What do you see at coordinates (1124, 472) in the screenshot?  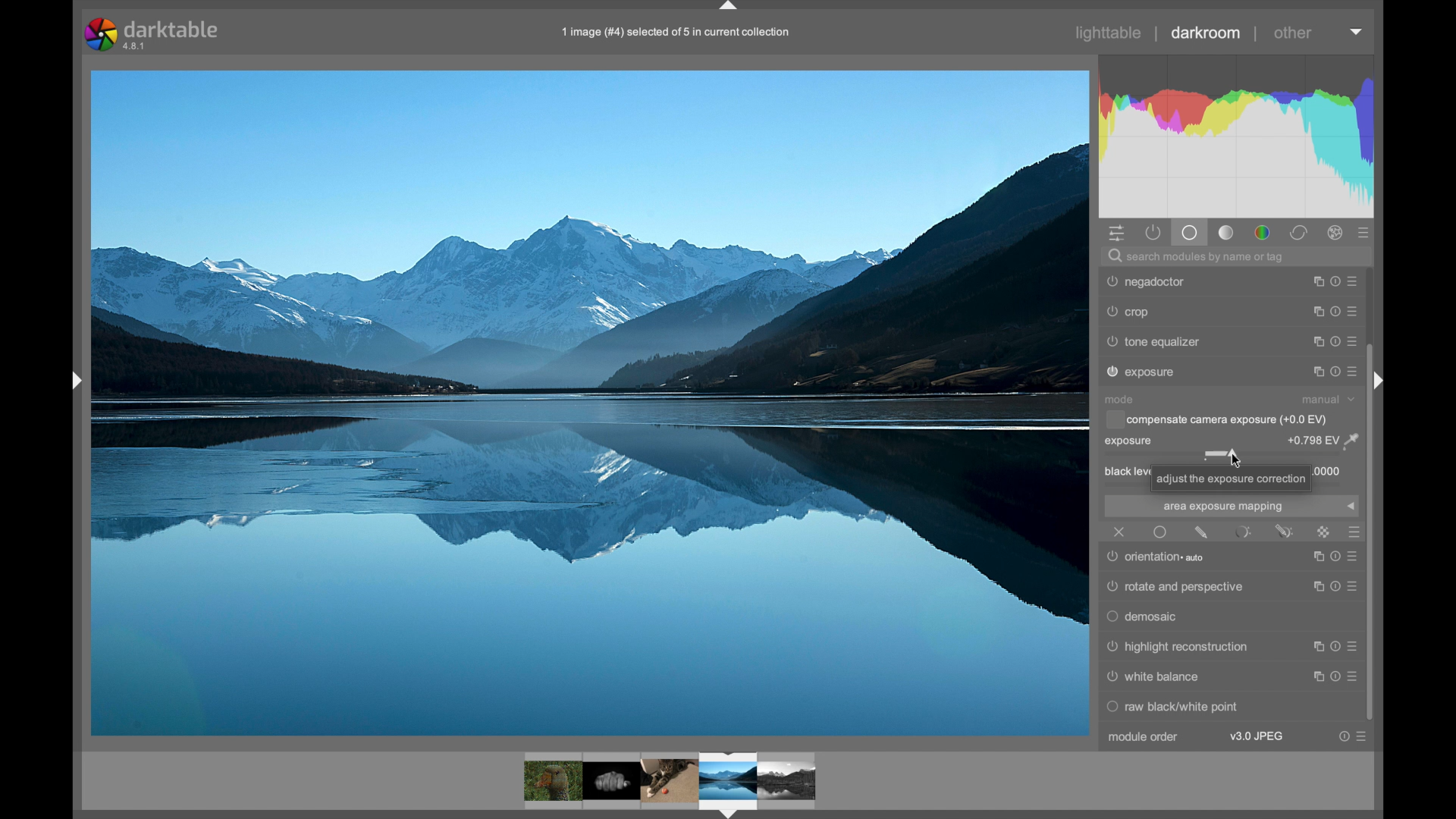 I see `black lev` at bounding box center [1124, 472].